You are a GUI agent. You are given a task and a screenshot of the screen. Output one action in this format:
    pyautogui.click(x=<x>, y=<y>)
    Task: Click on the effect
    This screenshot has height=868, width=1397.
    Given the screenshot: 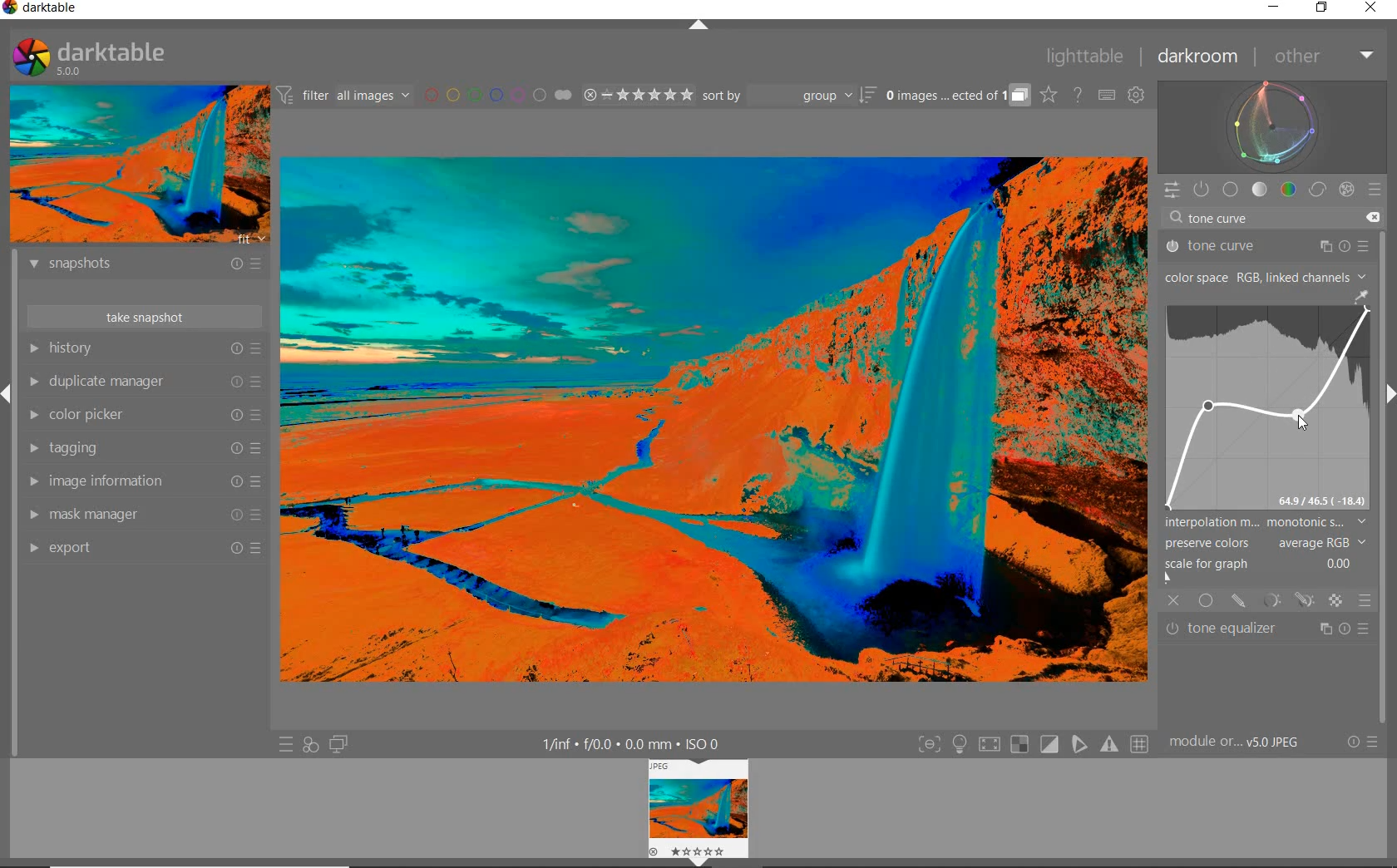 What is the action you would take?
    pyautogui.click(x=1344, y=189)
    